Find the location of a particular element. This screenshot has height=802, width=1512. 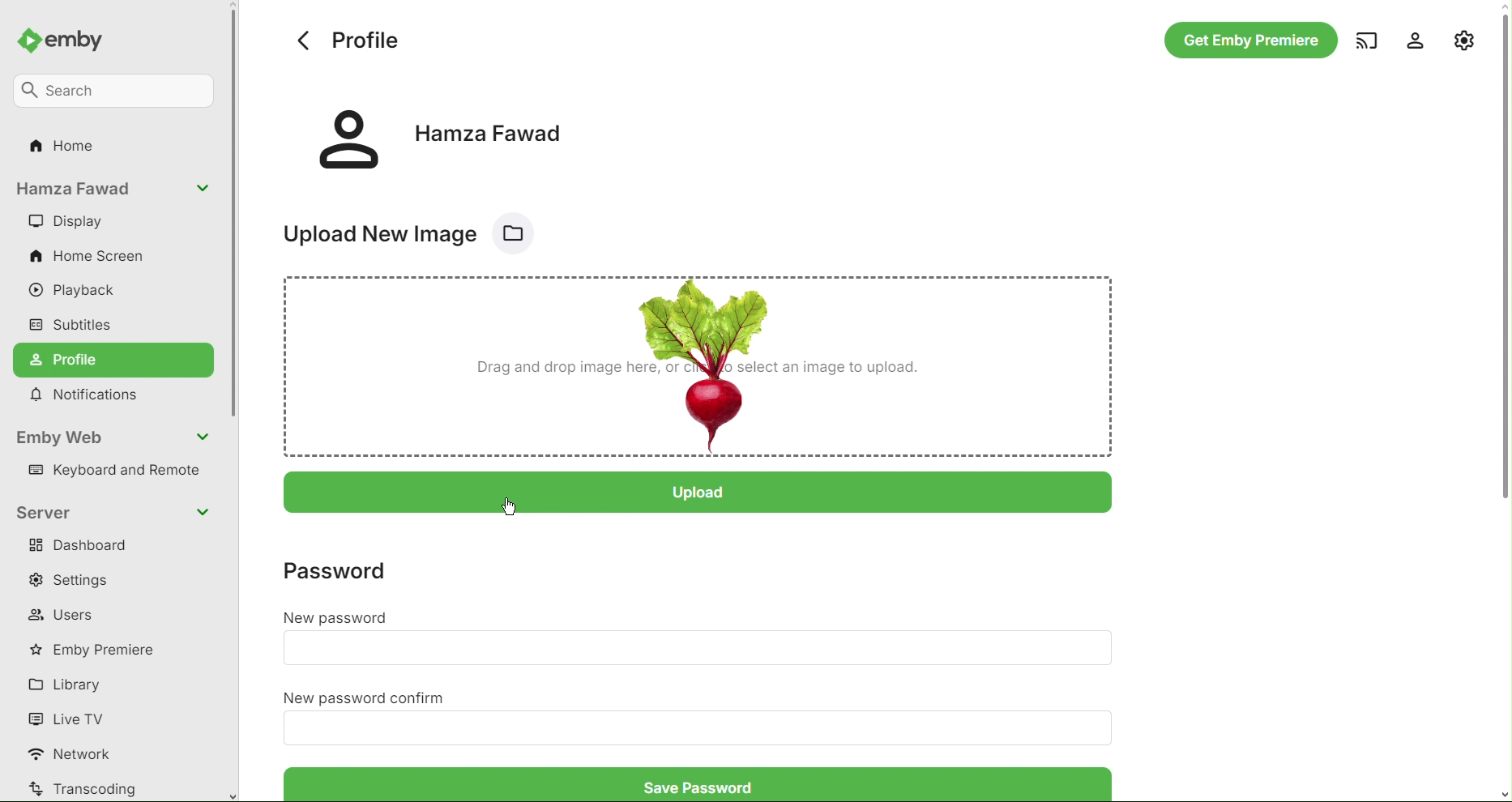

Home Screen is located at coordinates (90, 258).